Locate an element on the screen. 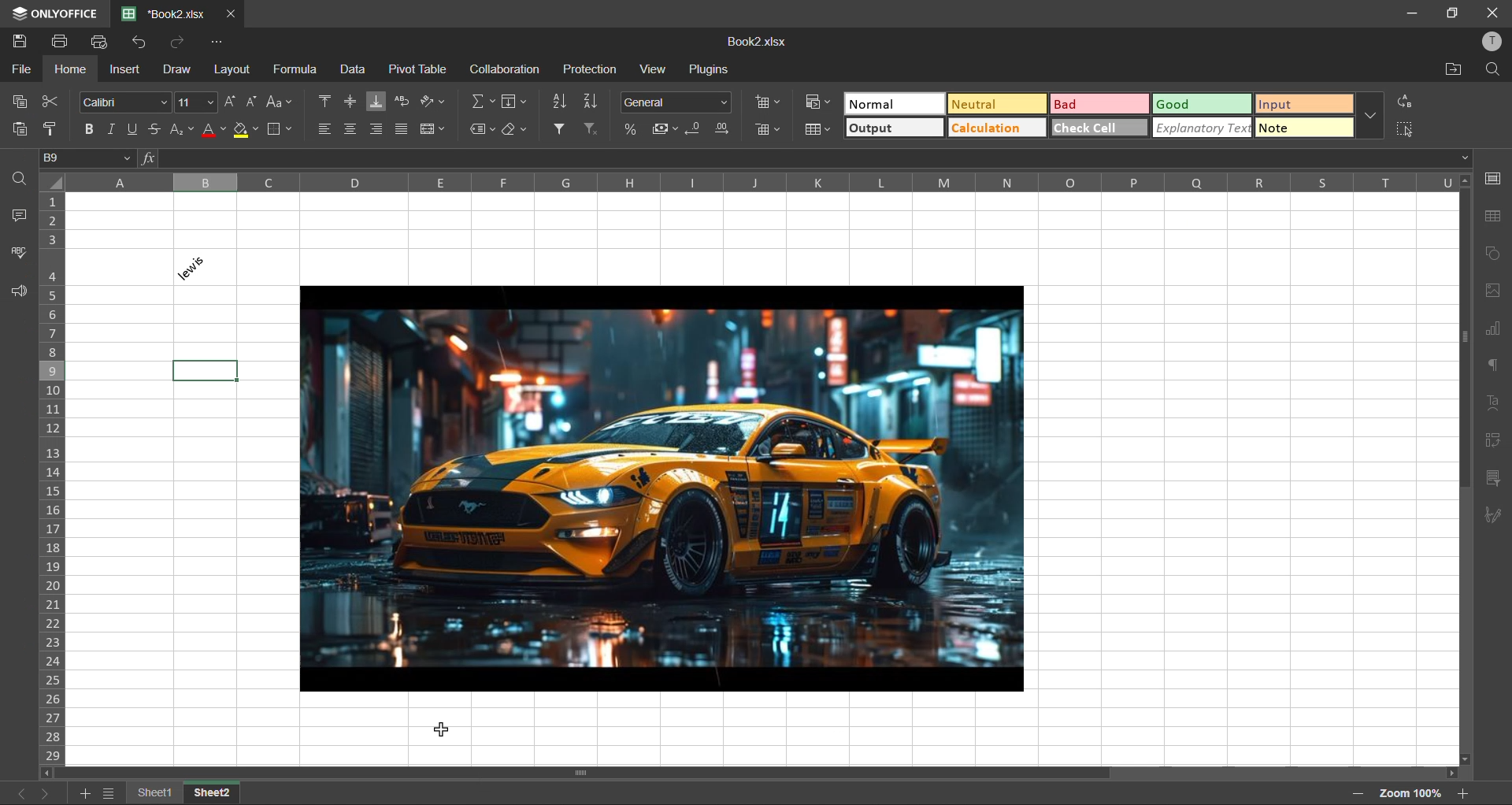  summation is located at coordinates (484, 101).